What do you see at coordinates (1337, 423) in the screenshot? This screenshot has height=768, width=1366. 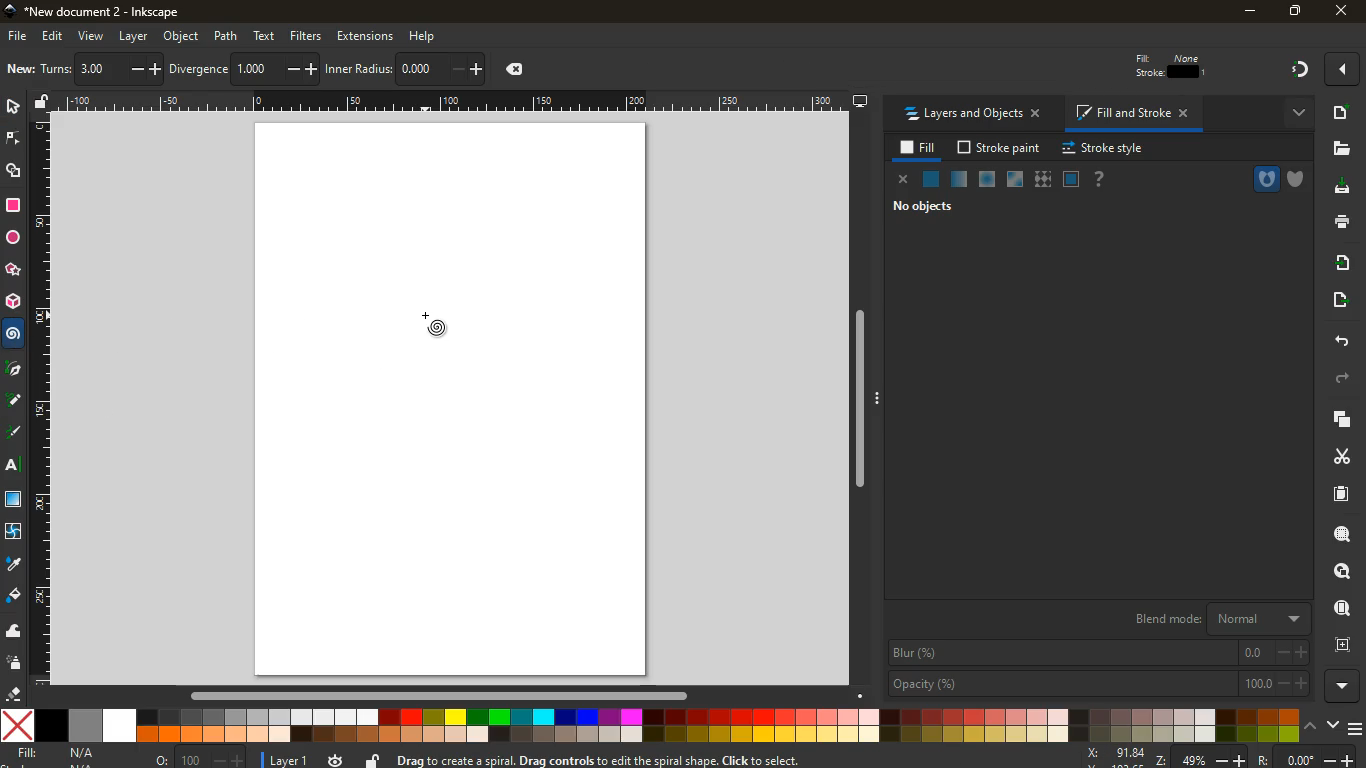 I see `layers` at bounding box center [1337, 423].